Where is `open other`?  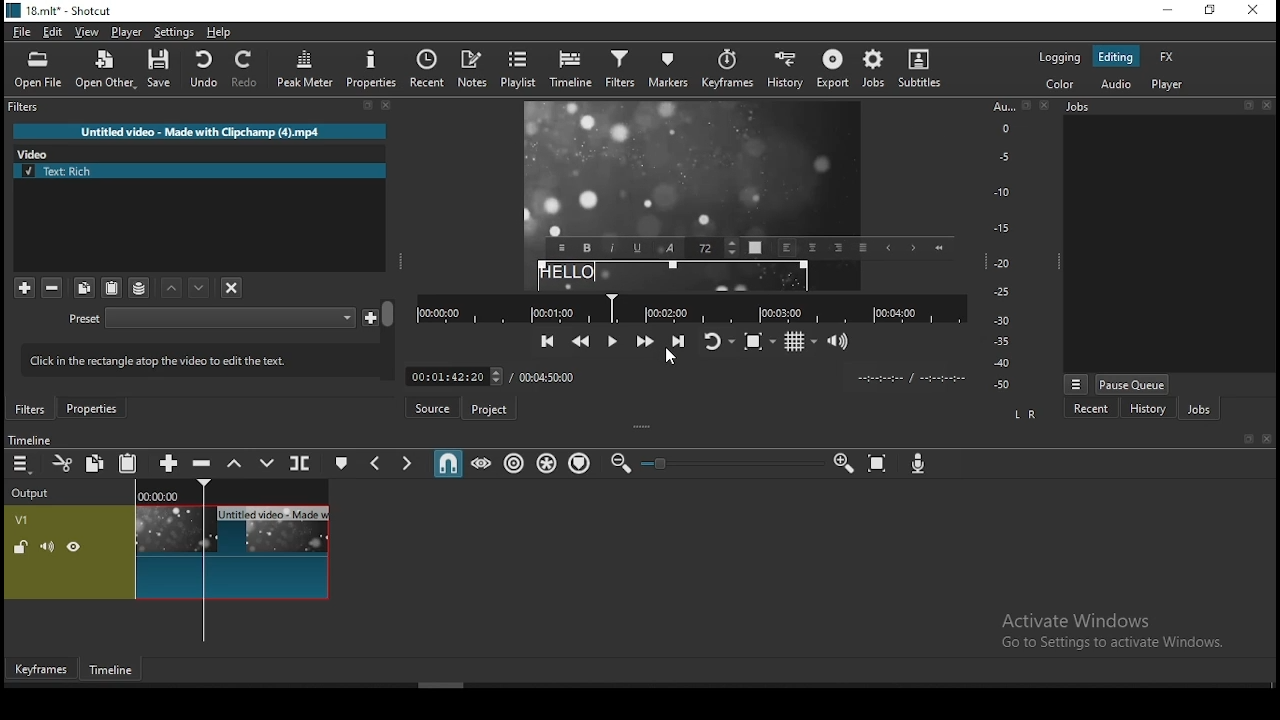
open other is located at coordinates (104, 70).